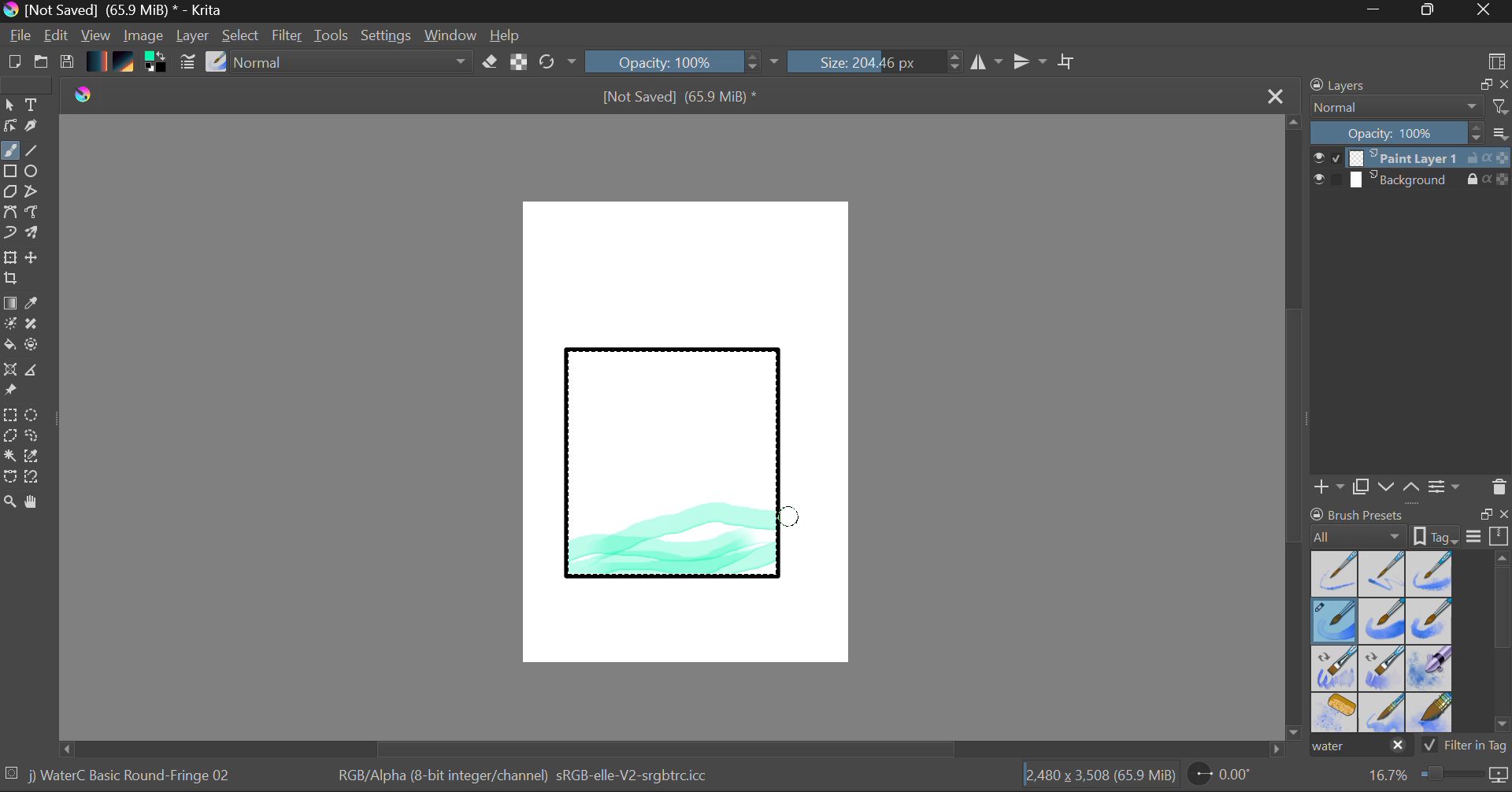 This screenshot has height=792, width=1512. I want to click on Filter, so click(289, 38).